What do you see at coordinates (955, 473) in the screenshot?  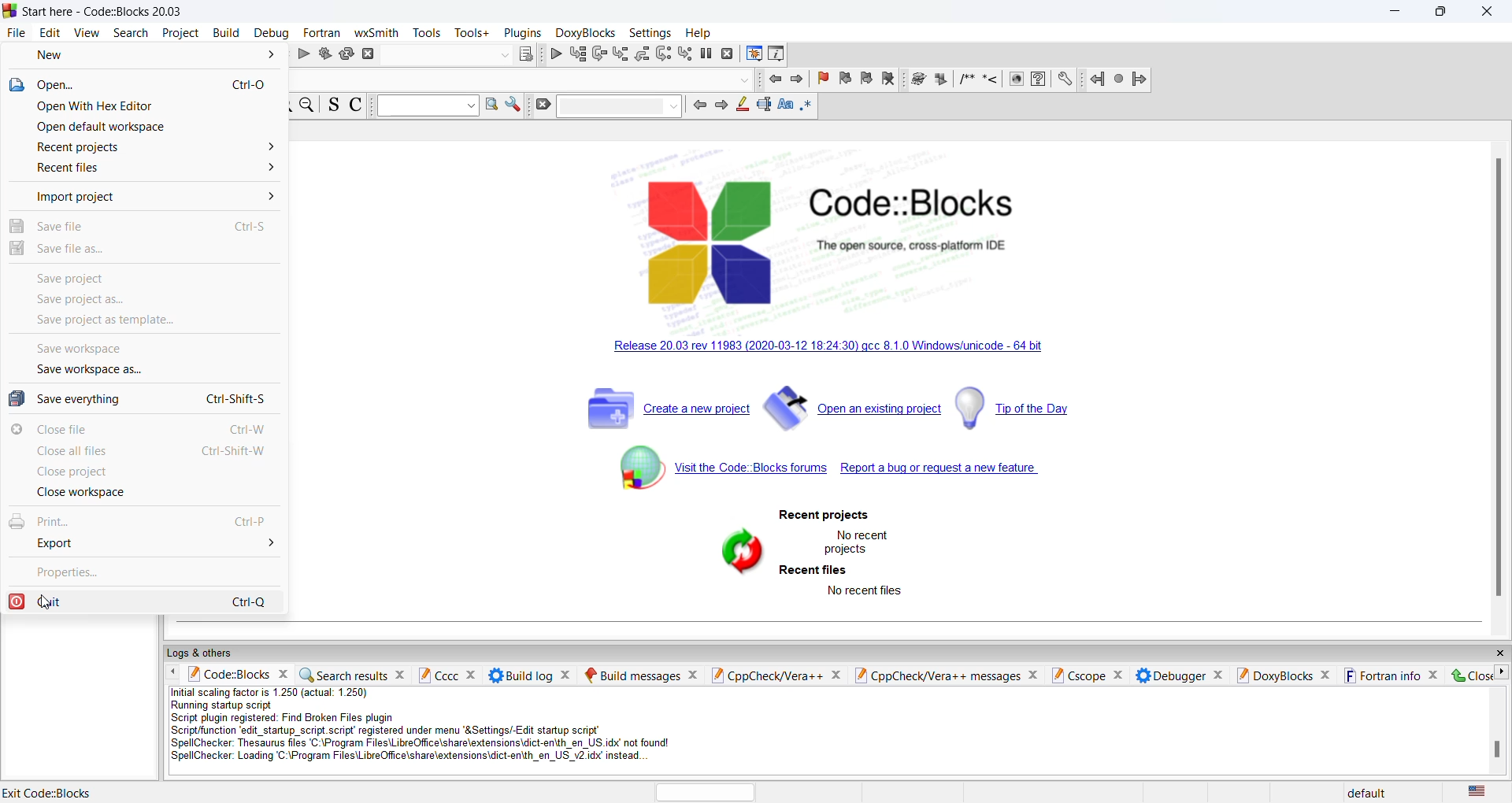 I see `report bug` at bounding box center [955, 473].